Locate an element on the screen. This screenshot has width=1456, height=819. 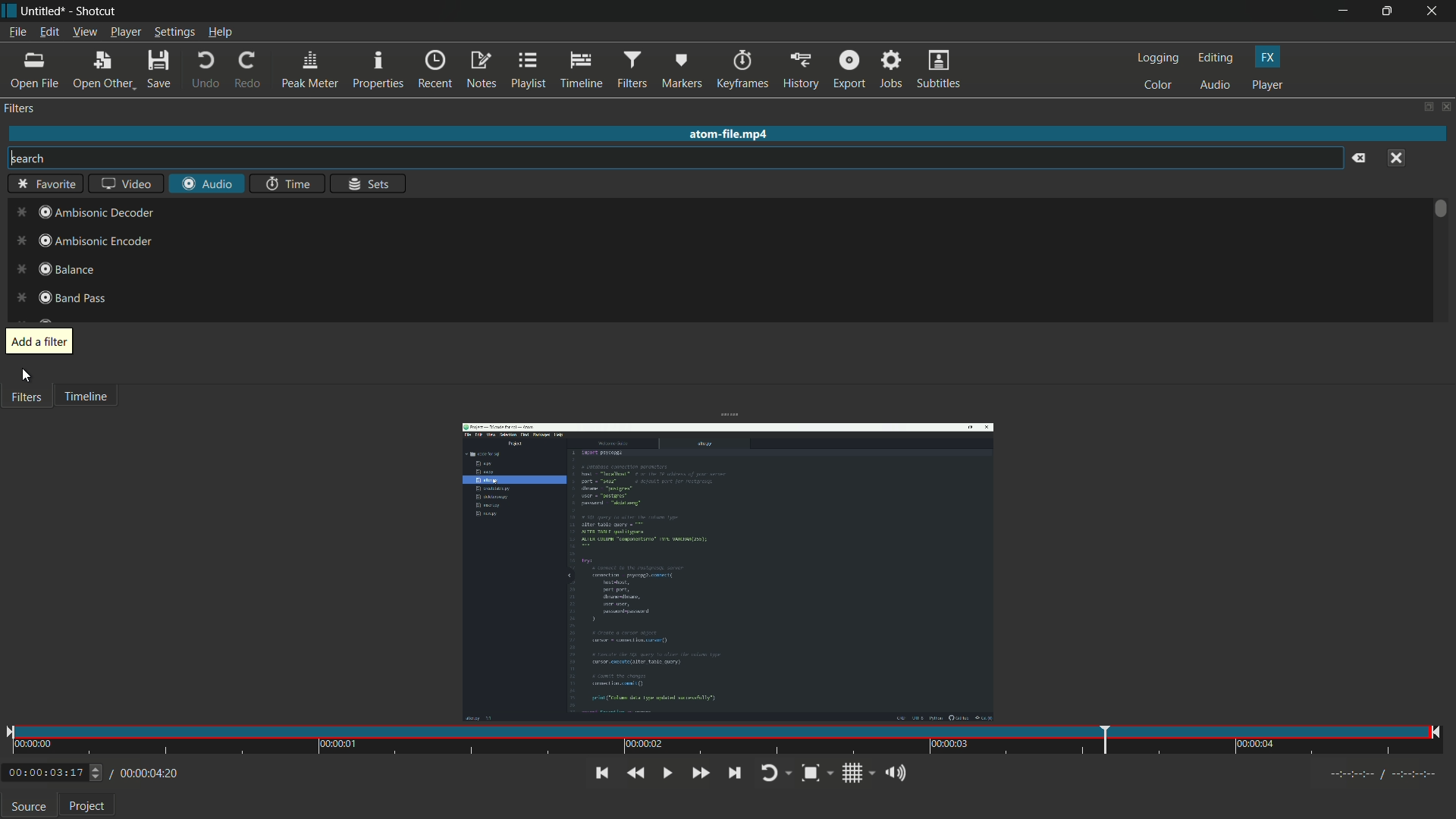
quickly play forward is located at coordinates (700, 773).